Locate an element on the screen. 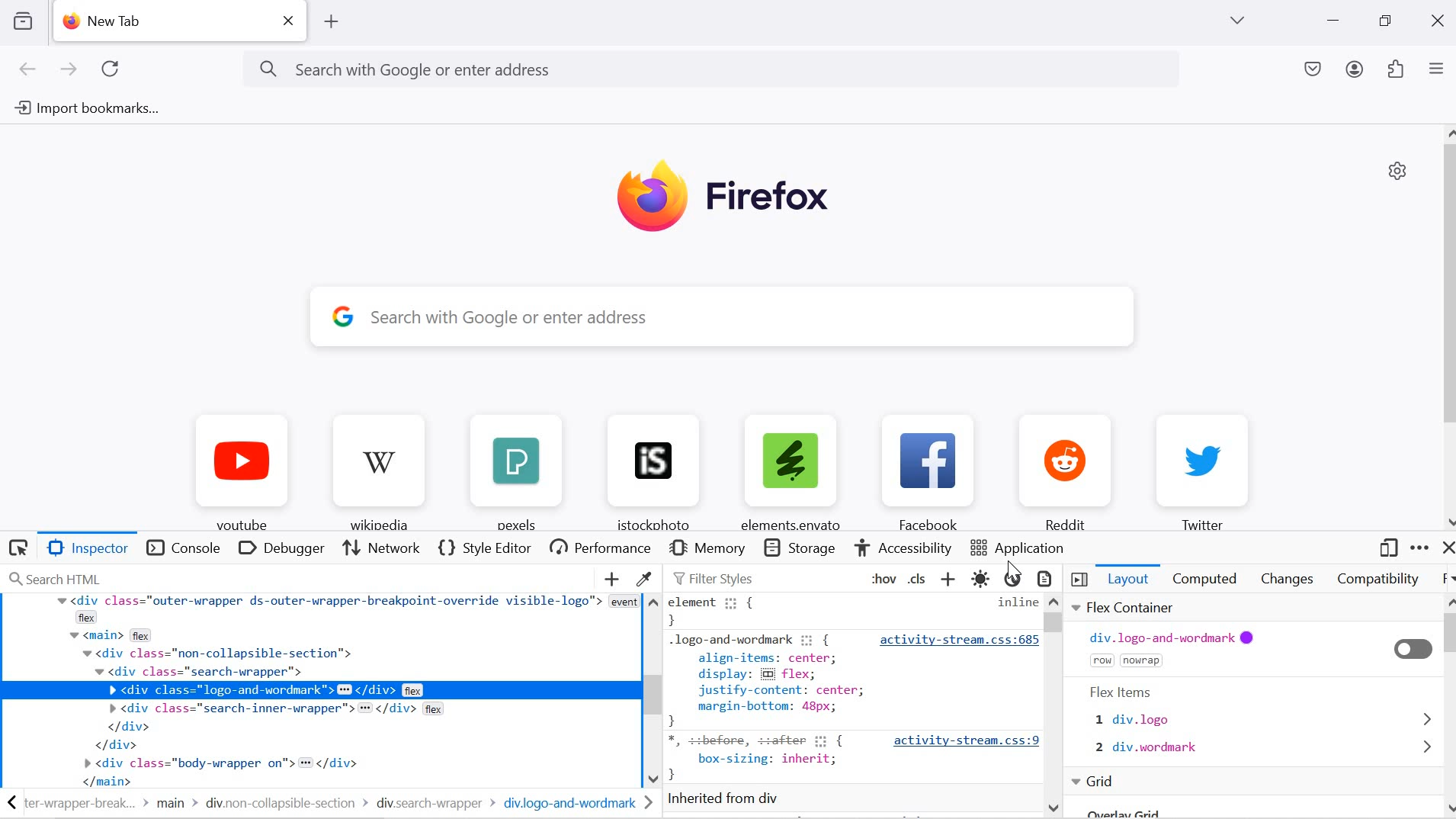 The height and width of the screenshot is (819, 1456). move up is located at coordinates (1447, 602).